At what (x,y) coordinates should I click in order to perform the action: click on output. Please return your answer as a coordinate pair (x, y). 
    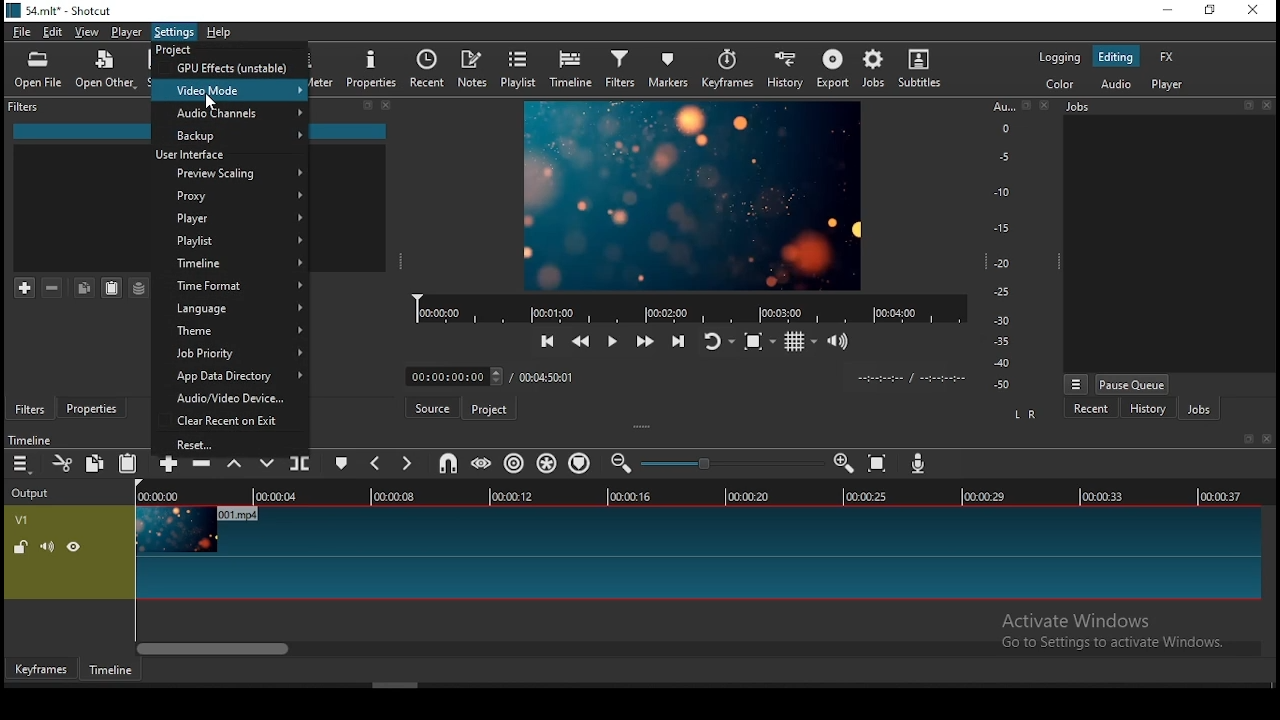
    Looking at the image, I should click on (33, 494).